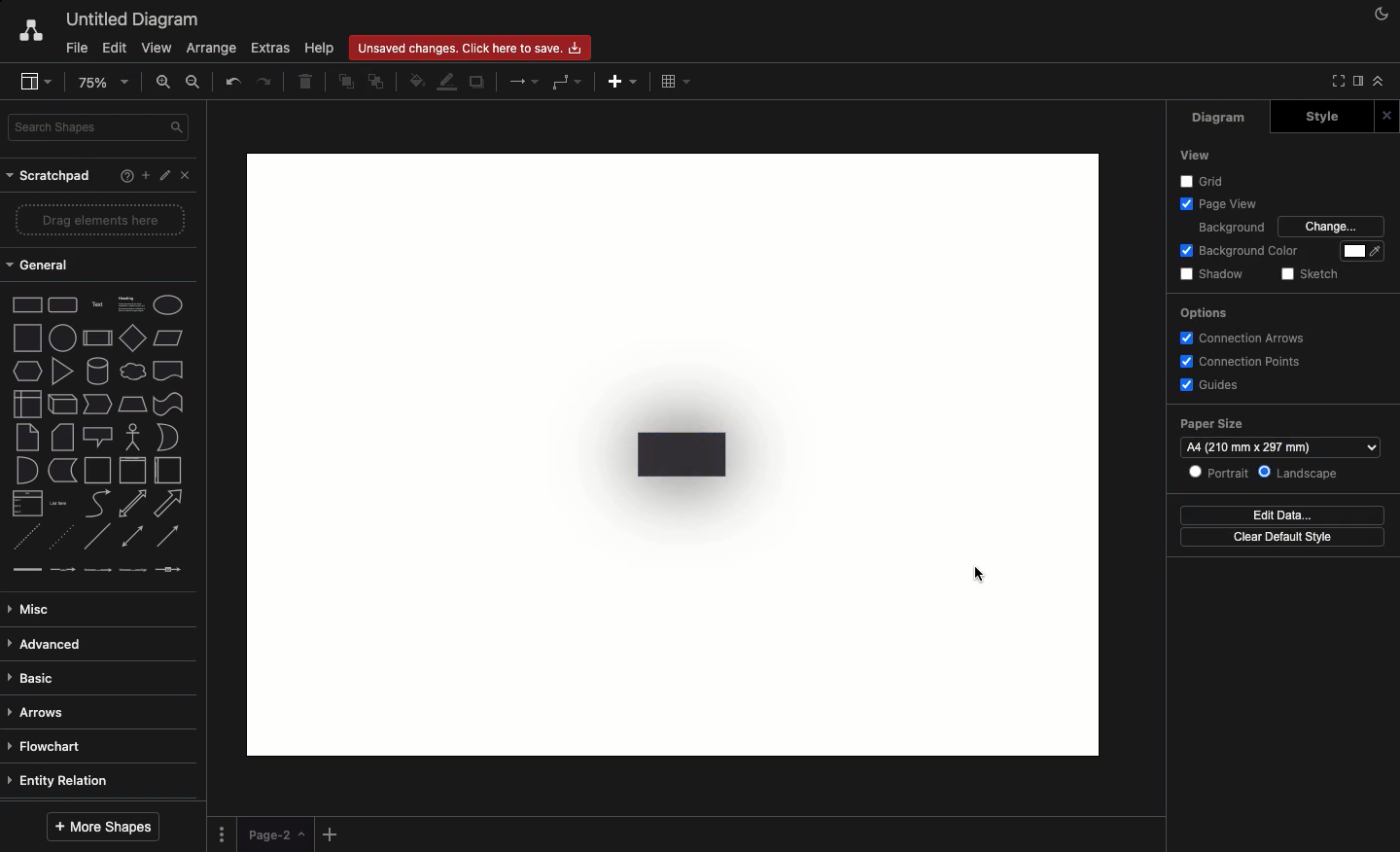 The height and width of the screenshot is (852, 1400). Describe the element at coordinates (28, 437) in the screenshot. I see `note` at that location.